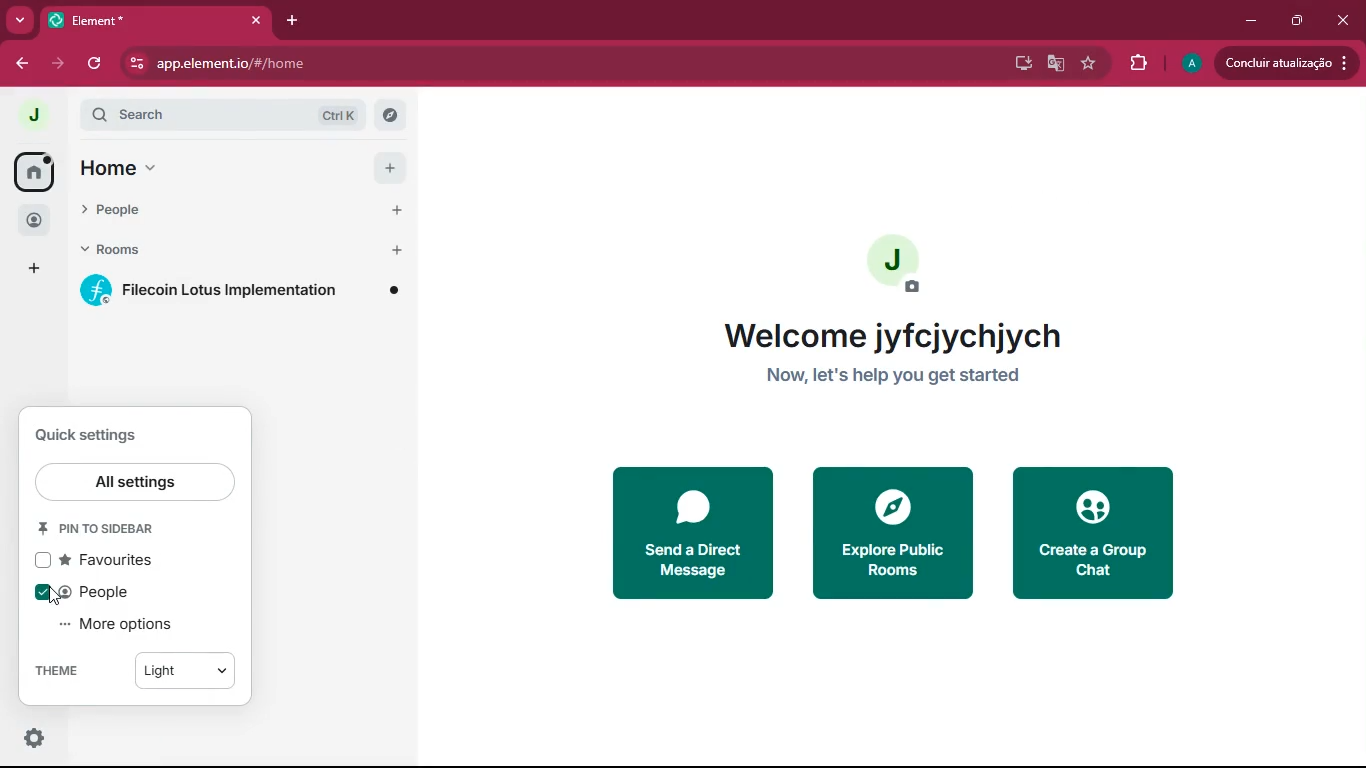 This screenshot has width=1366, height=768. What do you see at coordinates (388, 167) in the screenshot?
I see `add` at bounding box center [388, 167].